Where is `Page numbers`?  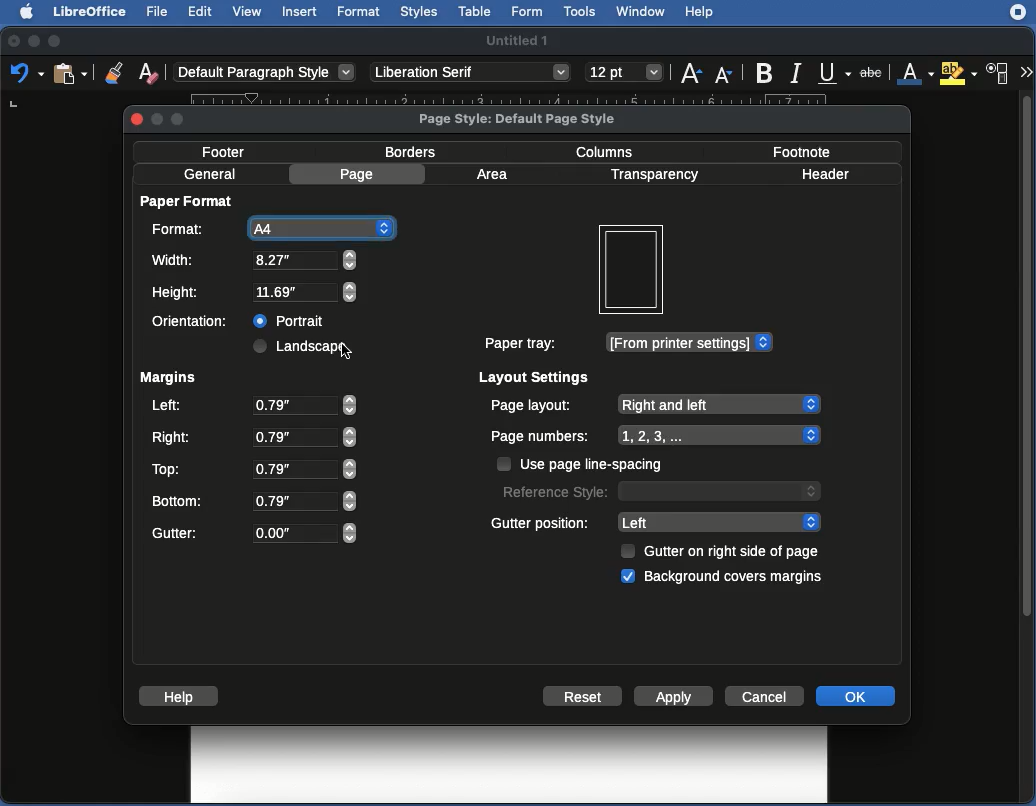 Page numbers is located at coordinates (655, 435).